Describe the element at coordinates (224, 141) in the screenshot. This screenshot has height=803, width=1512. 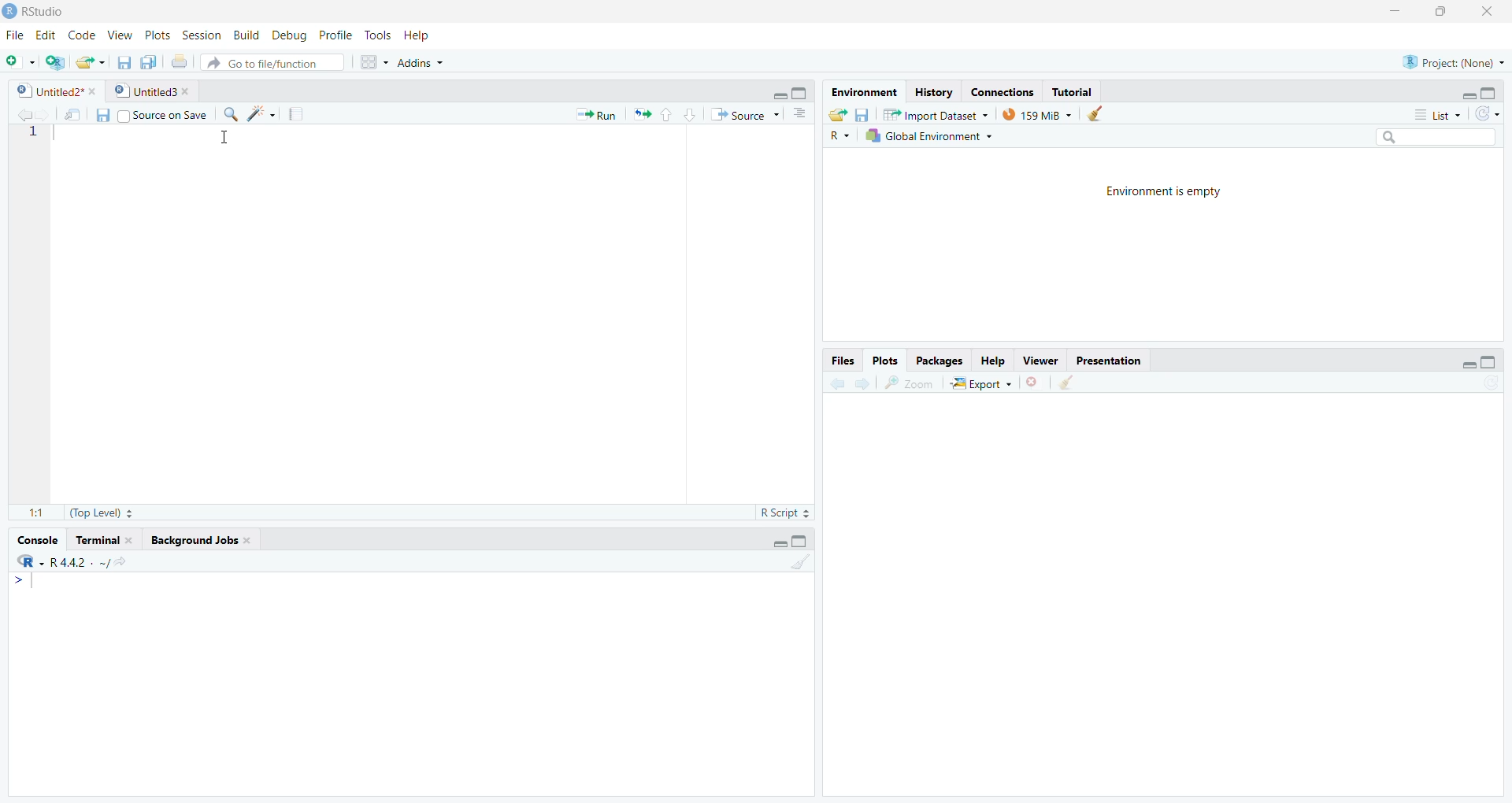
I see `Cursor` at that location.